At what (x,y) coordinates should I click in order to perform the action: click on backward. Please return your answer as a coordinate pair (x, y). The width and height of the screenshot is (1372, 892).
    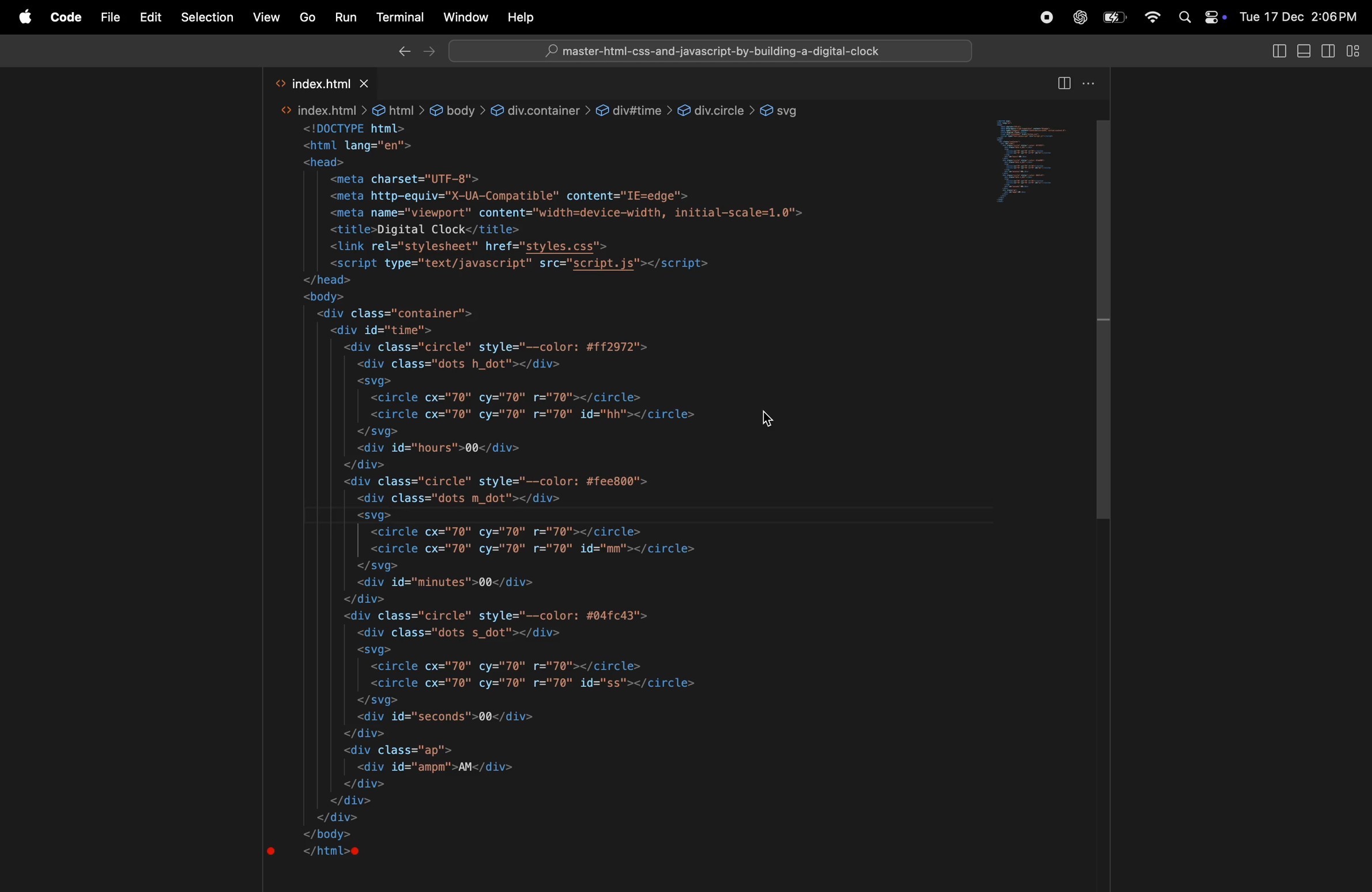
    Looking at the image, I should click on (399, 52).